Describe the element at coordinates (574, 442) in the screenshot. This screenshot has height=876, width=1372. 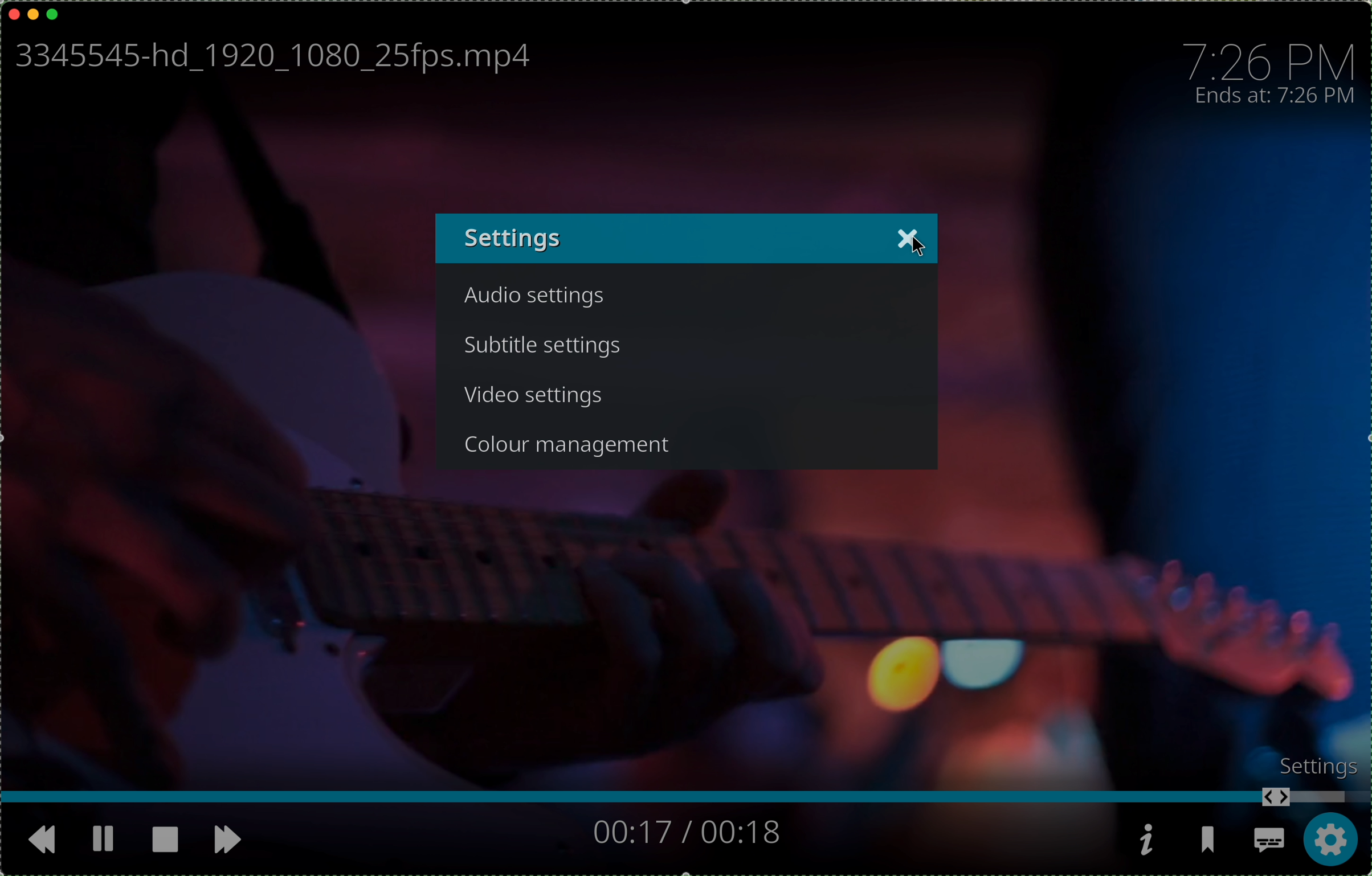
I see `colour management` at that location.